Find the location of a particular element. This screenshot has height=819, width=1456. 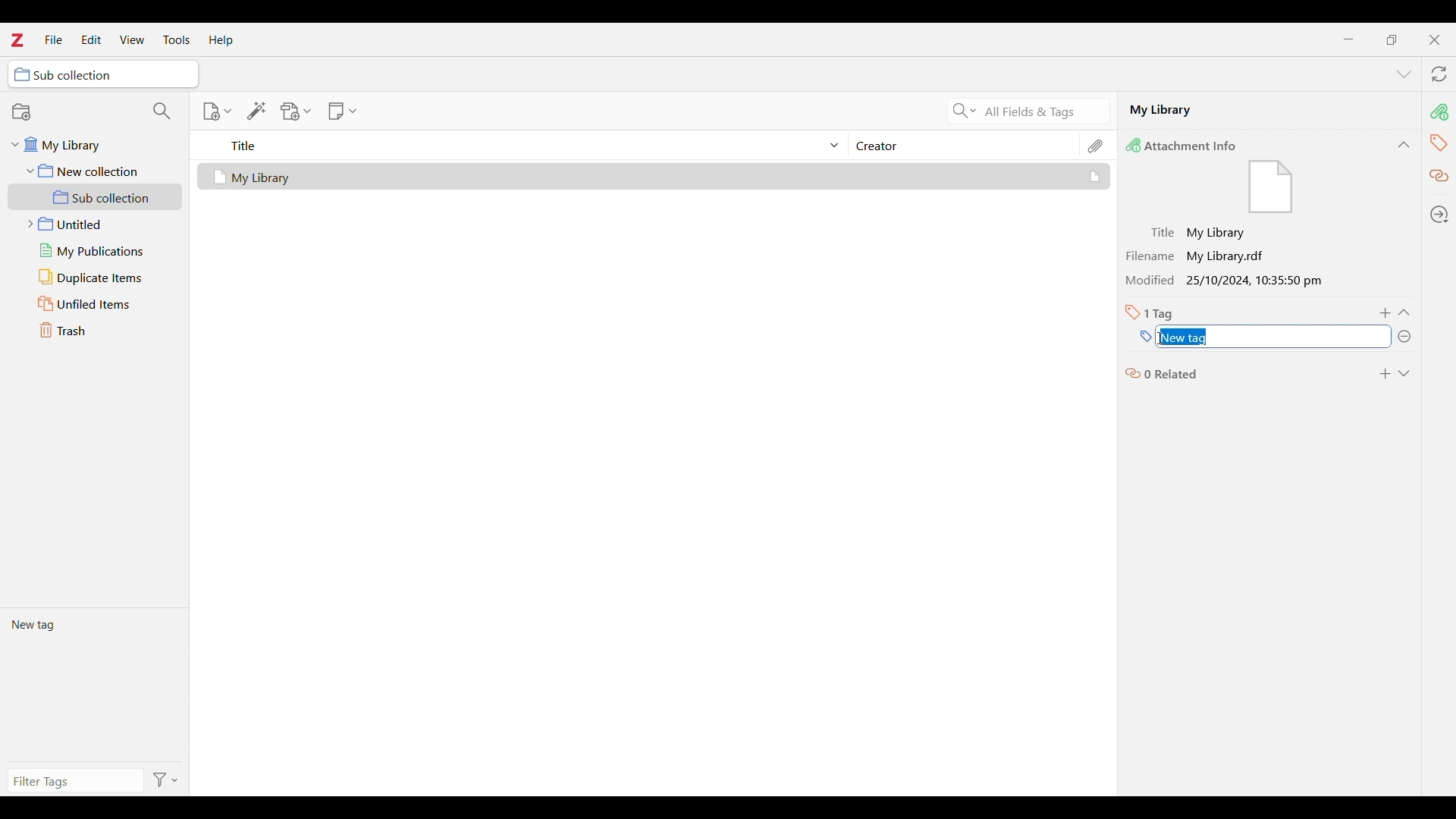

Total number of tags is located at coordinates (1150, 312).